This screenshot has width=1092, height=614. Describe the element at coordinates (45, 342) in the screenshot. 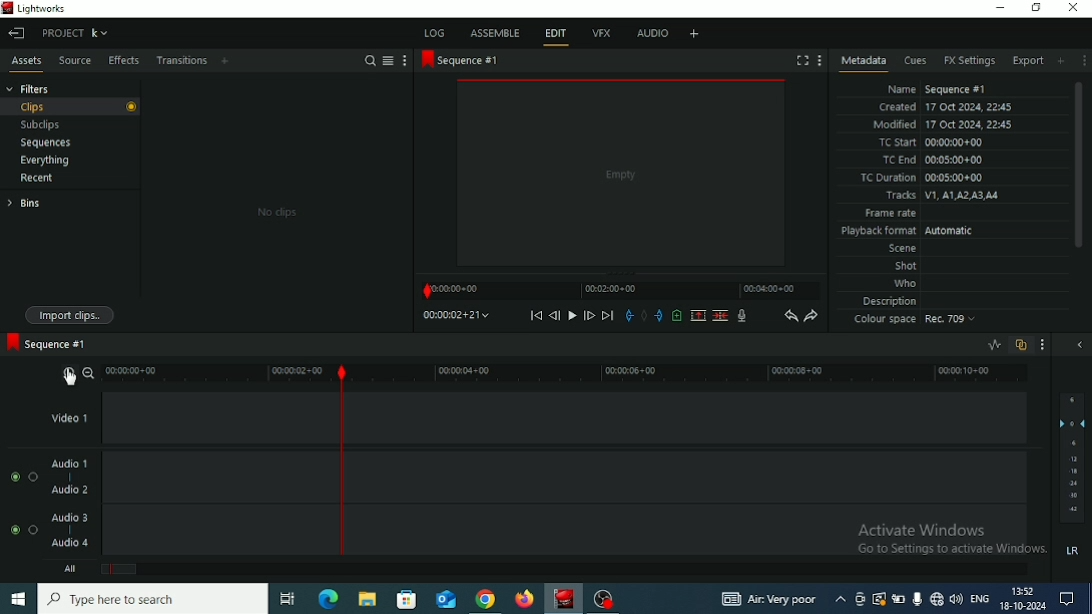

I see `Sequence #1` at that location.